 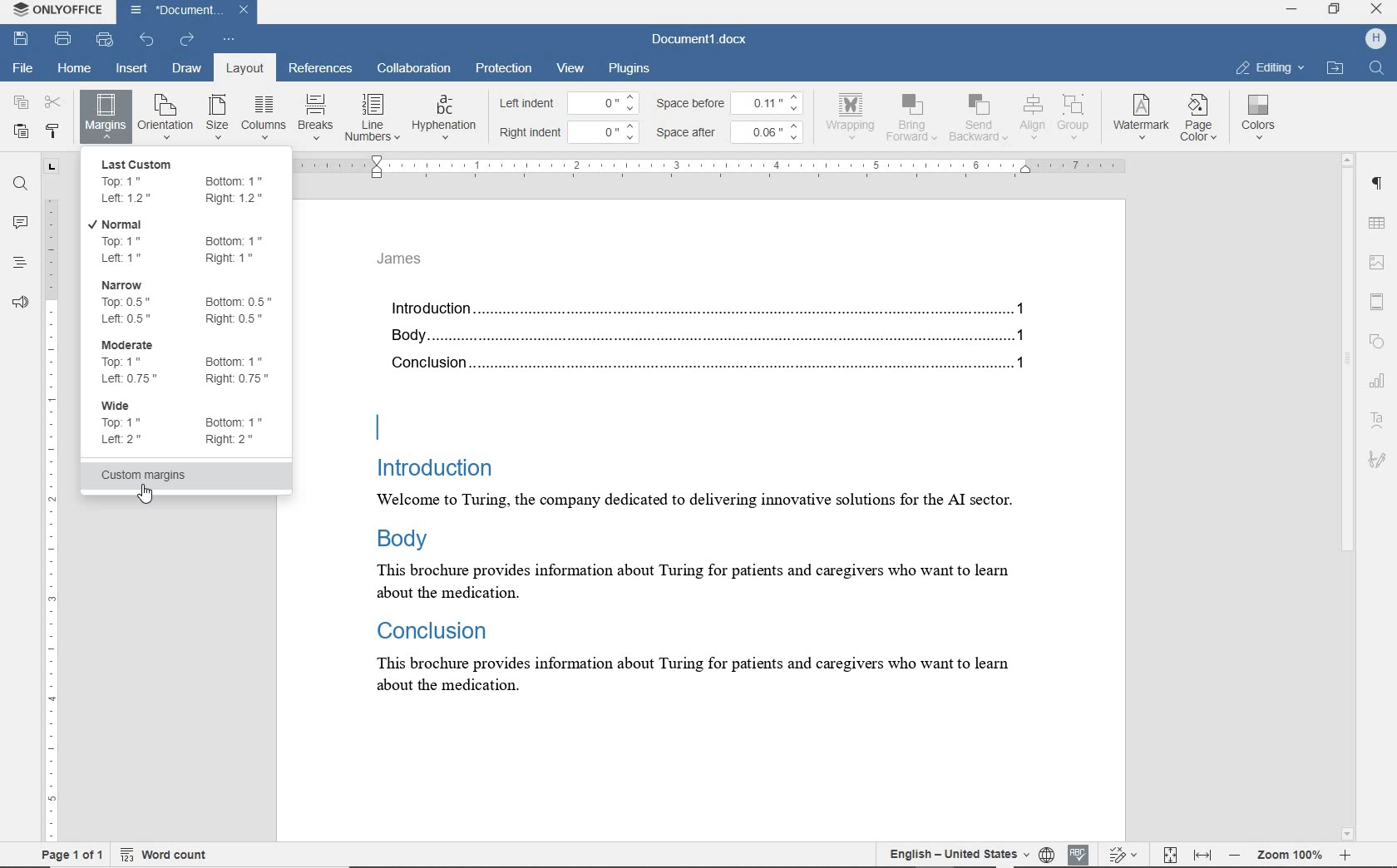 What do you see at coordinates (570, 68) in the screenshot?
I see `view` at bounding box center [570, 68].